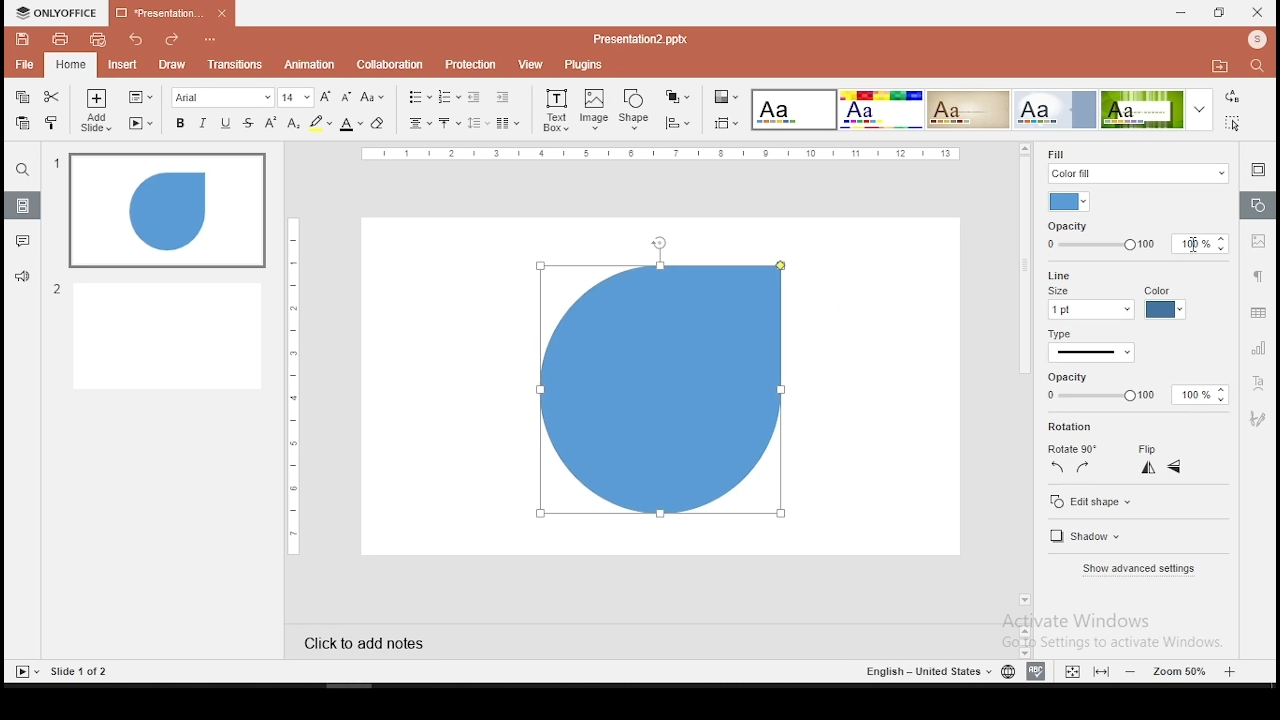 The image size is (1280, 720). Describe the element at coordinates (1036, 672) in the screenshot. I see `spell check` at that location.